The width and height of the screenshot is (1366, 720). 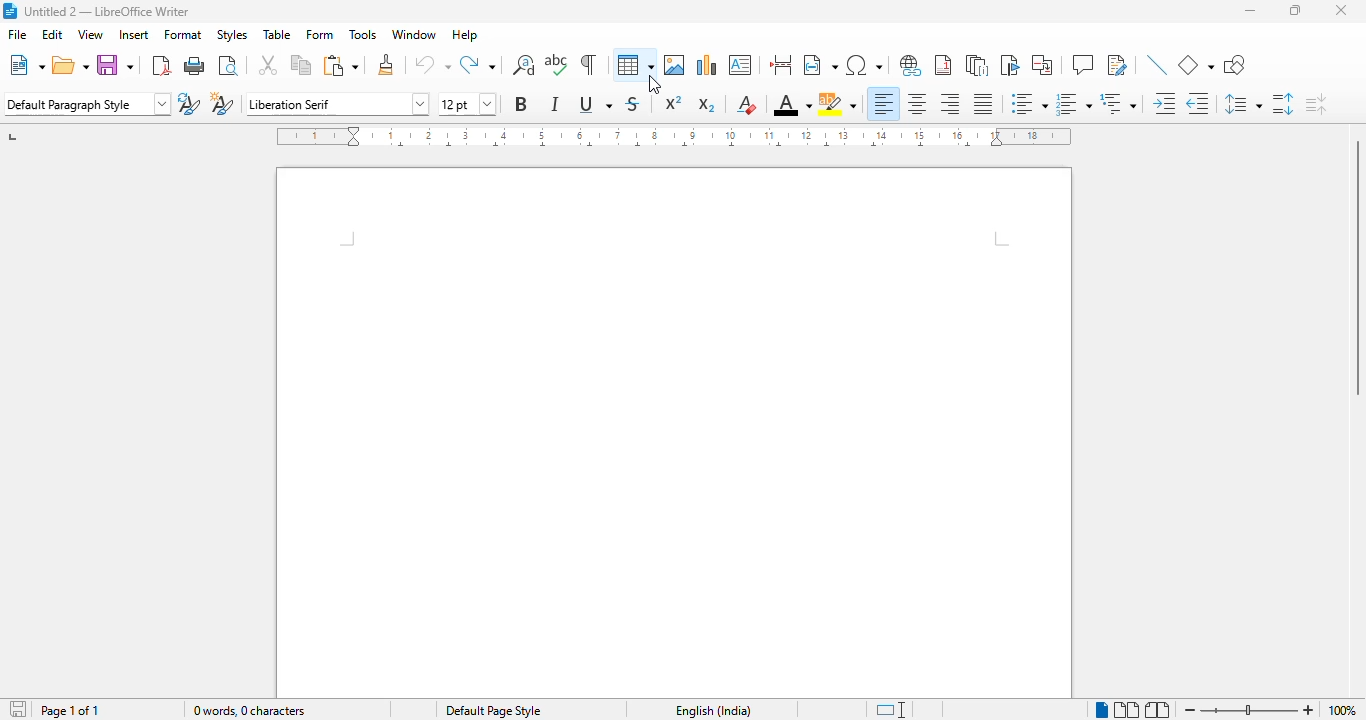 What do you see at coordinates (1354, 268) in the screenshot?
I see `vertical scroll bar` at bounding box center [1354, 268].